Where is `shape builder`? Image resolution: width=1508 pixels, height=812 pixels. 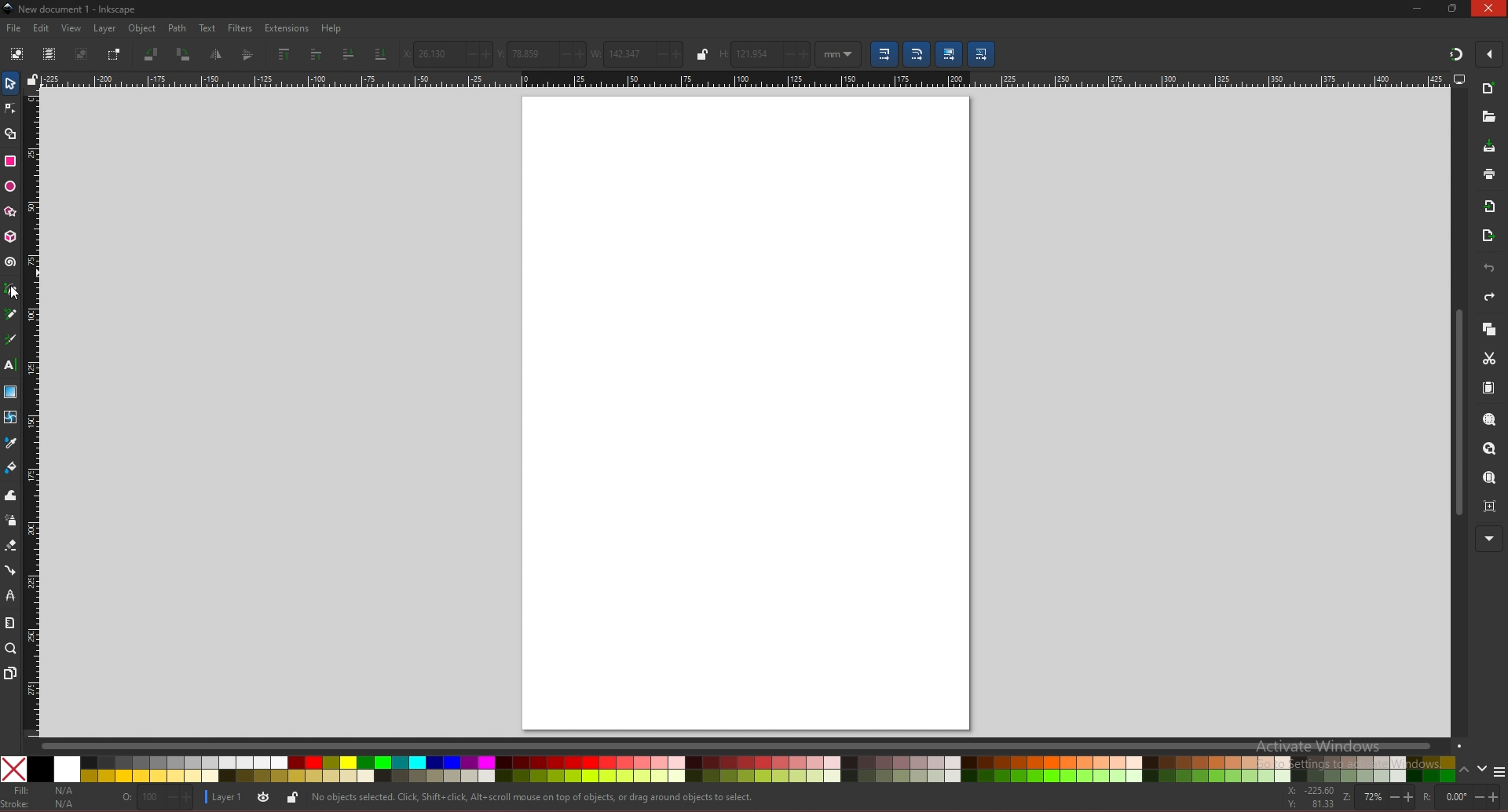 shape builder is located at coordinates (11, 134).